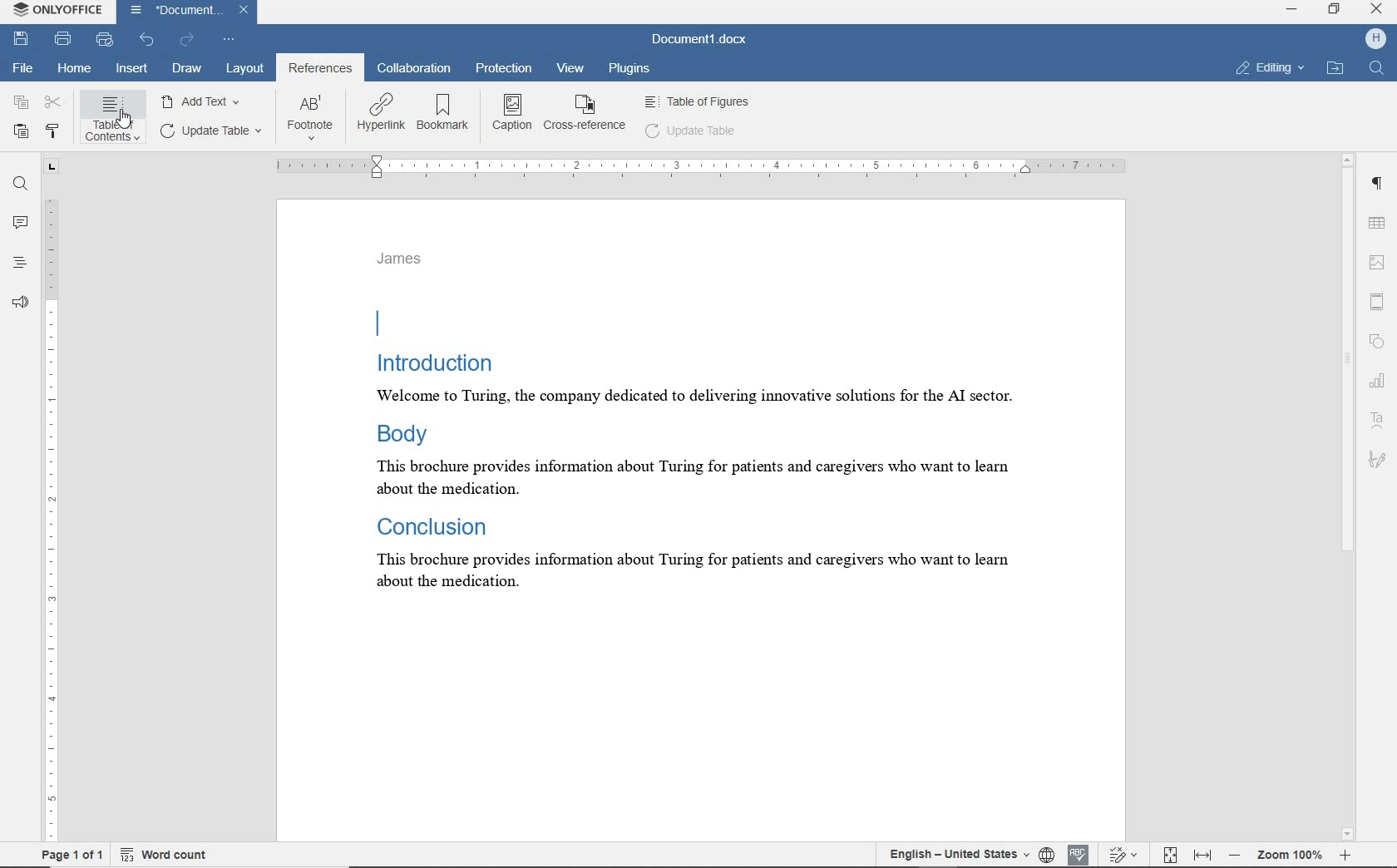  I want to click on feedback & support, so click(20, 301).